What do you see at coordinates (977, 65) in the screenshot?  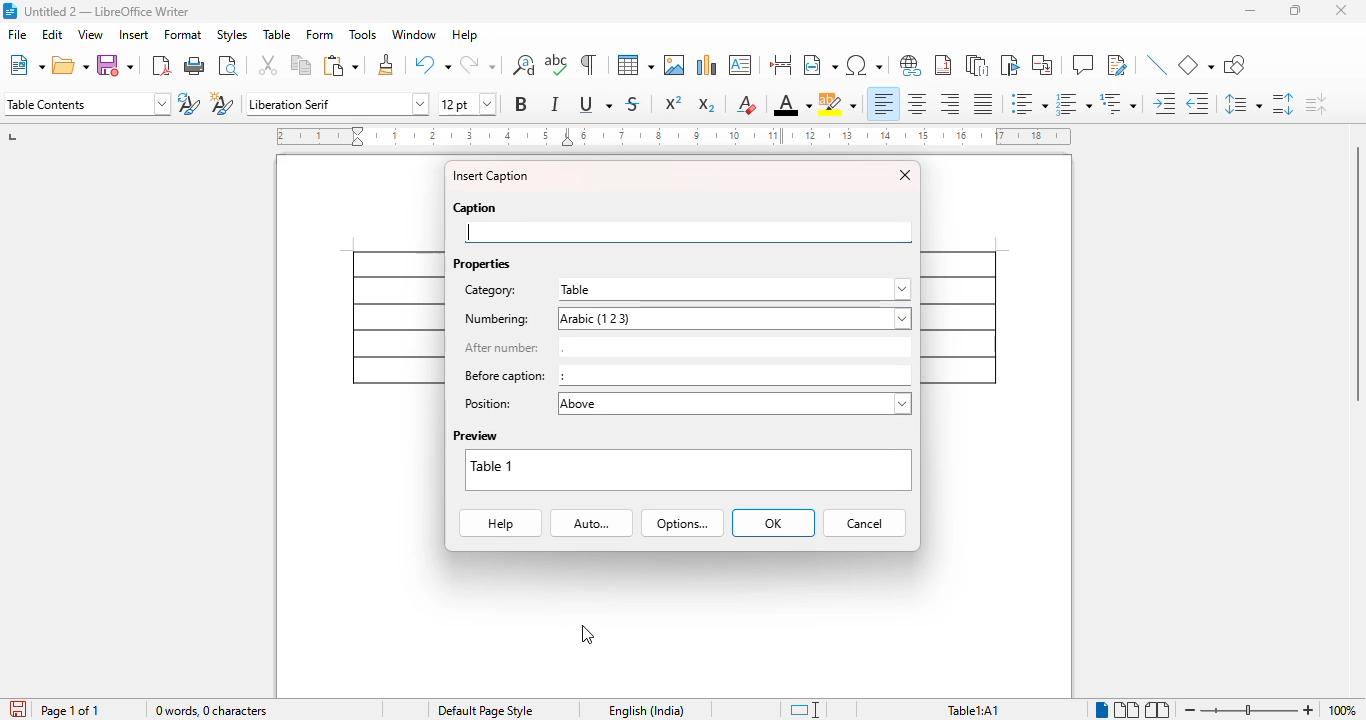 I see `insert endnote` at bounding box center [977, 65].